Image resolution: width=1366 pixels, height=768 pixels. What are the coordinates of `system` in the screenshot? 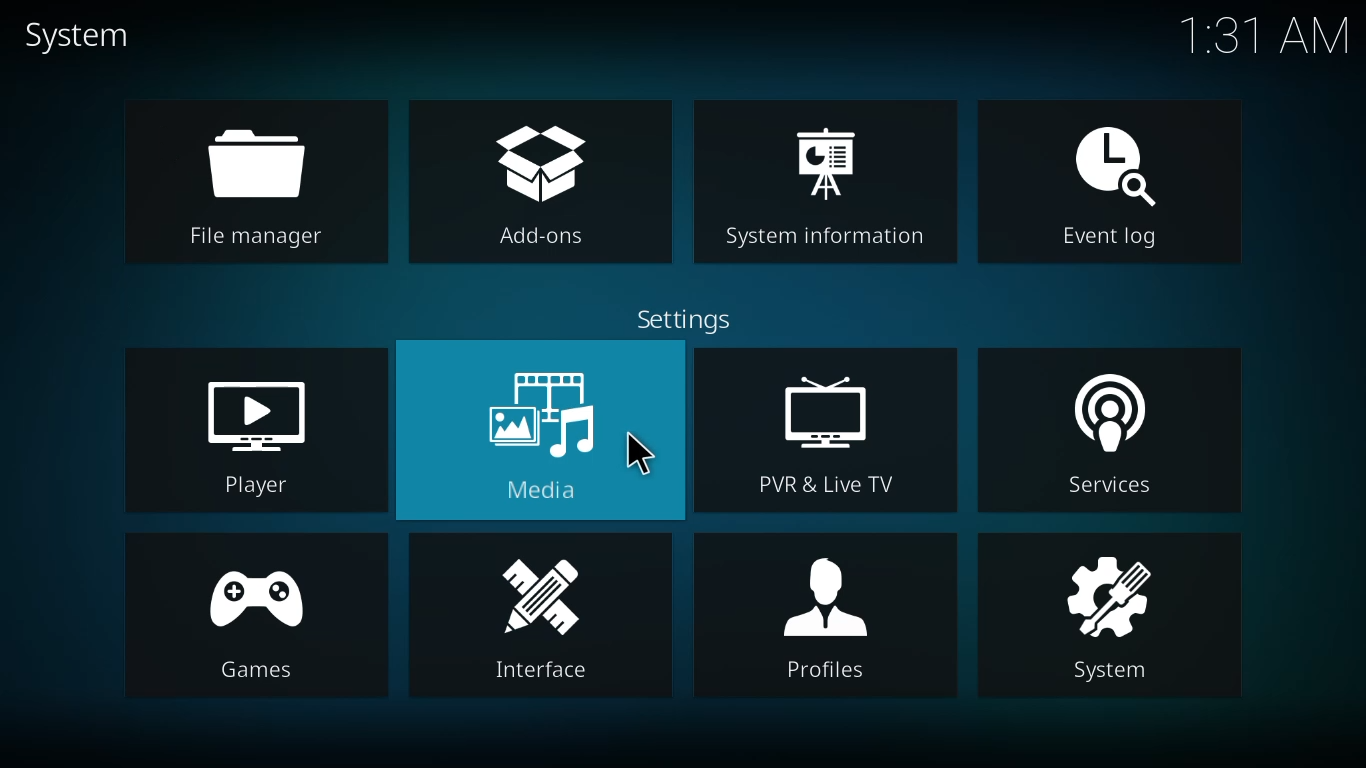 It's located at (1111, 616).